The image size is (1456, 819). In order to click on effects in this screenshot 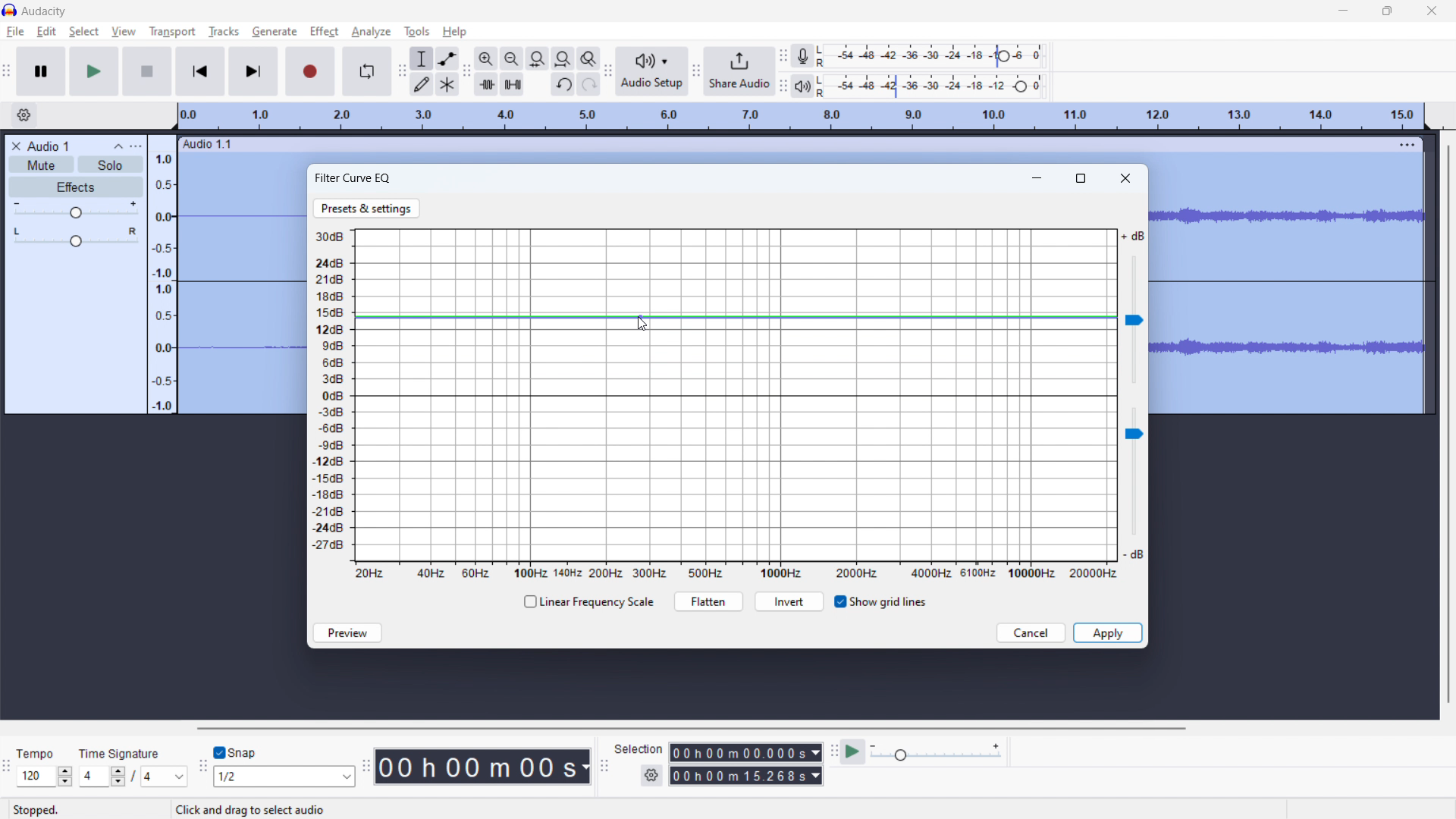, I will do `click(77, 187)`.